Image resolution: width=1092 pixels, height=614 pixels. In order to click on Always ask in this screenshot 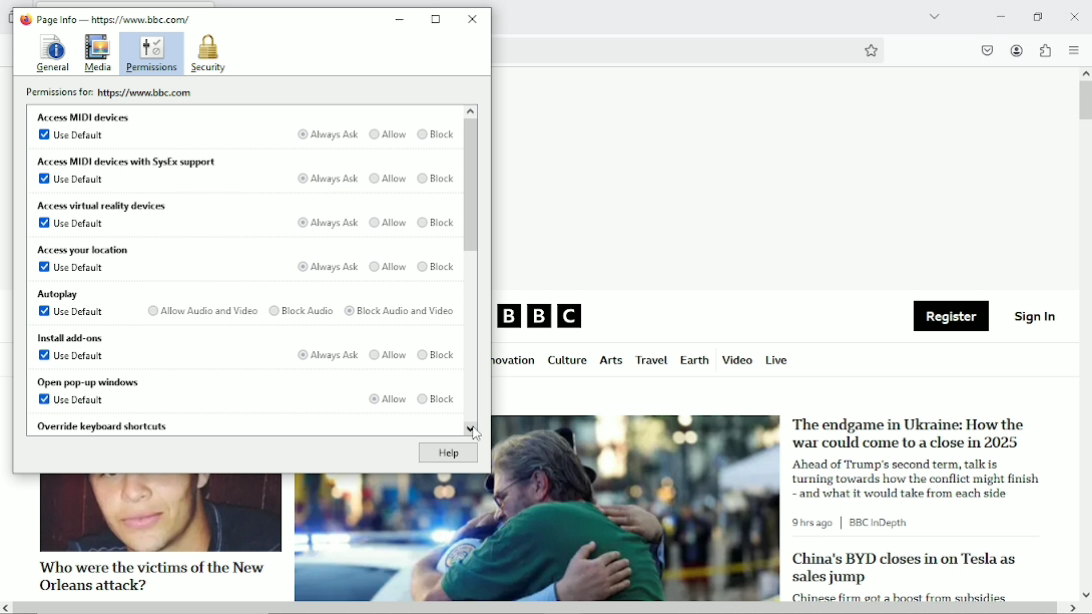, I will do `click(327, 178)`.